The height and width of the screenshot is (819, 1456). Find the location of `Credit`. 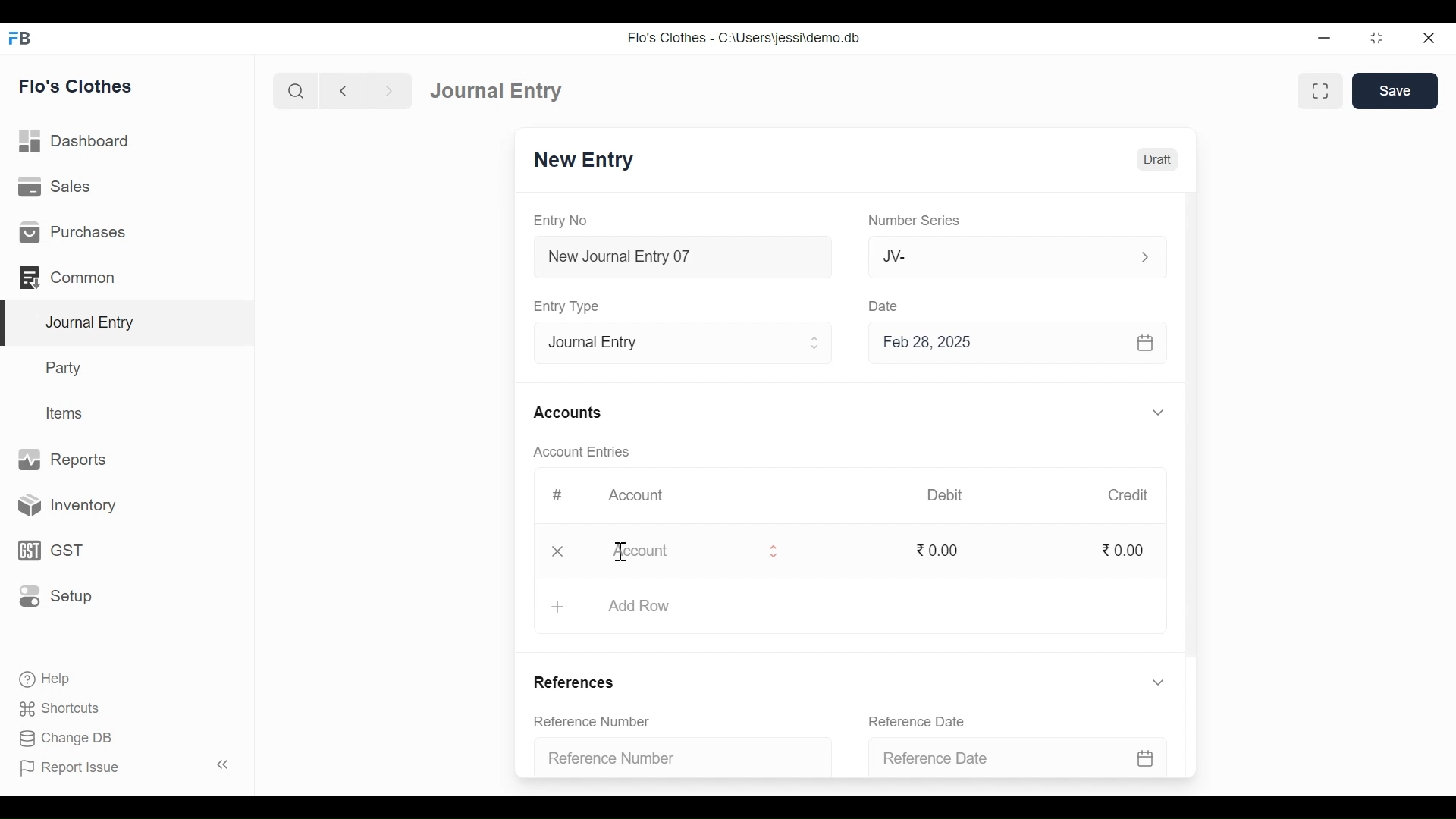

Credit is located at coordinates (1129, 496).